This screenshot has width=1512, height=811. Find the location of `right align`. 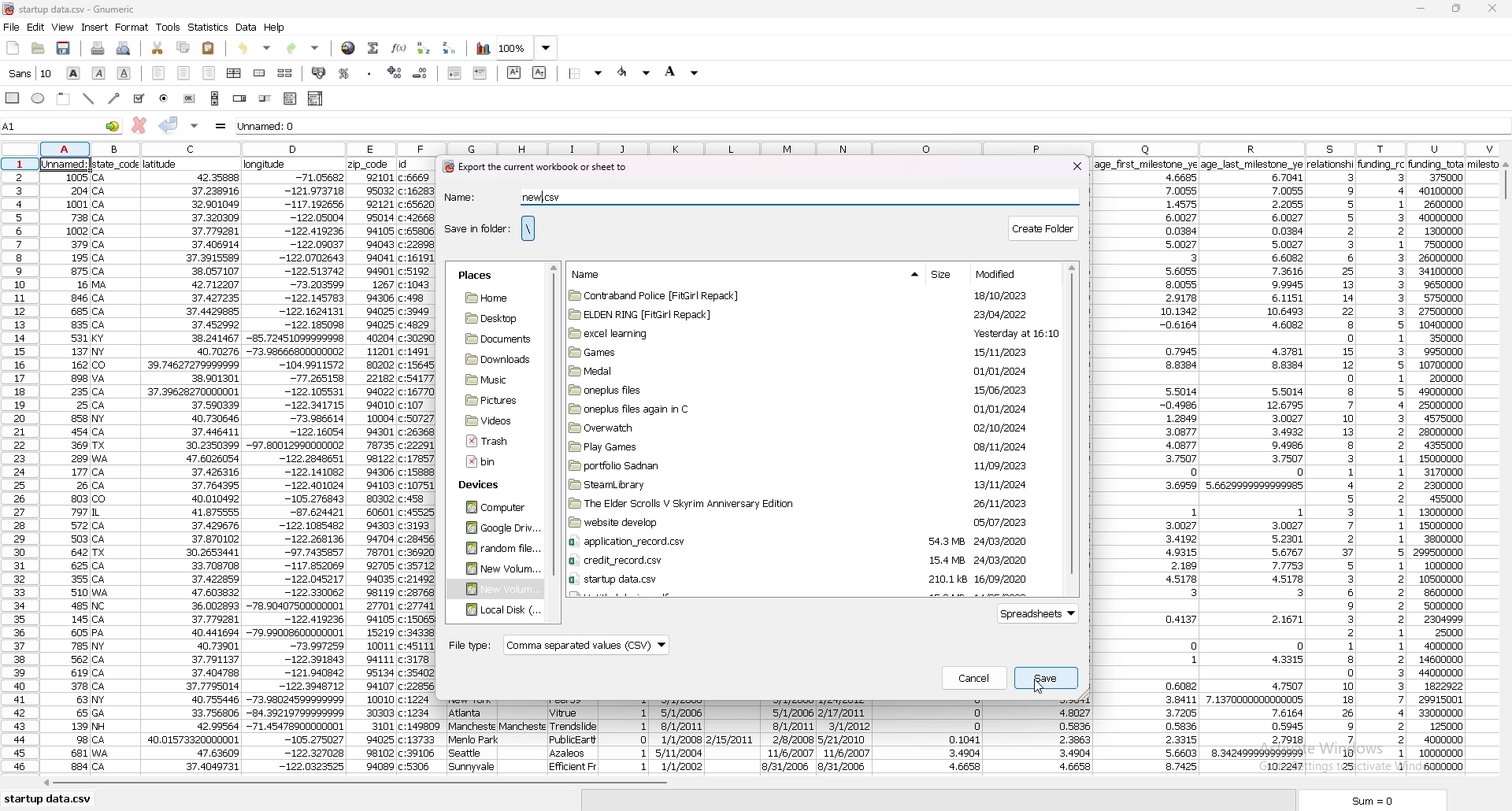

right align is located at coordinates (209, 73).